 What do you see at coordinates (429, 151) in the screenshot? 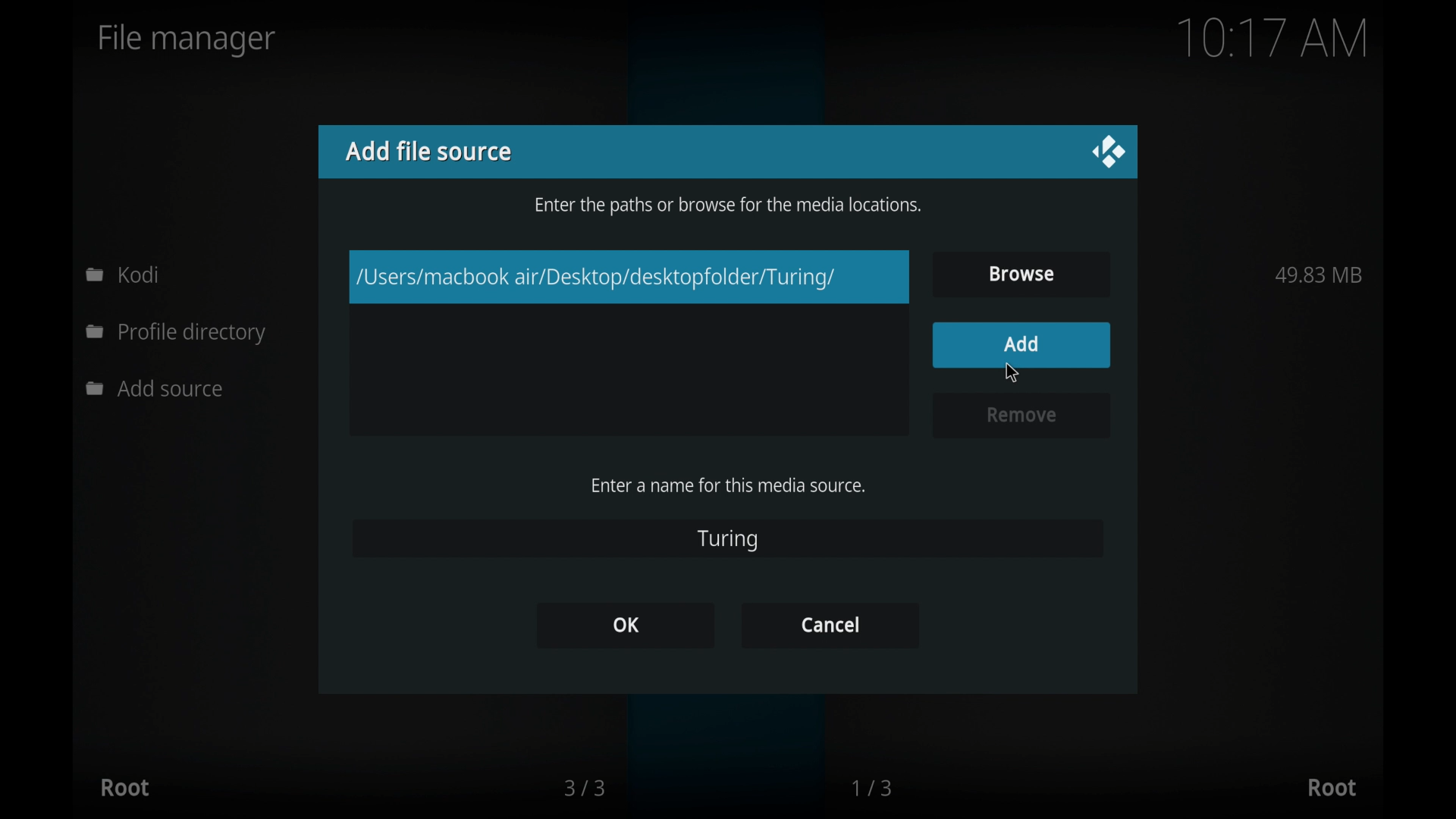
I see `add file source` at bounding box center [429, 151].